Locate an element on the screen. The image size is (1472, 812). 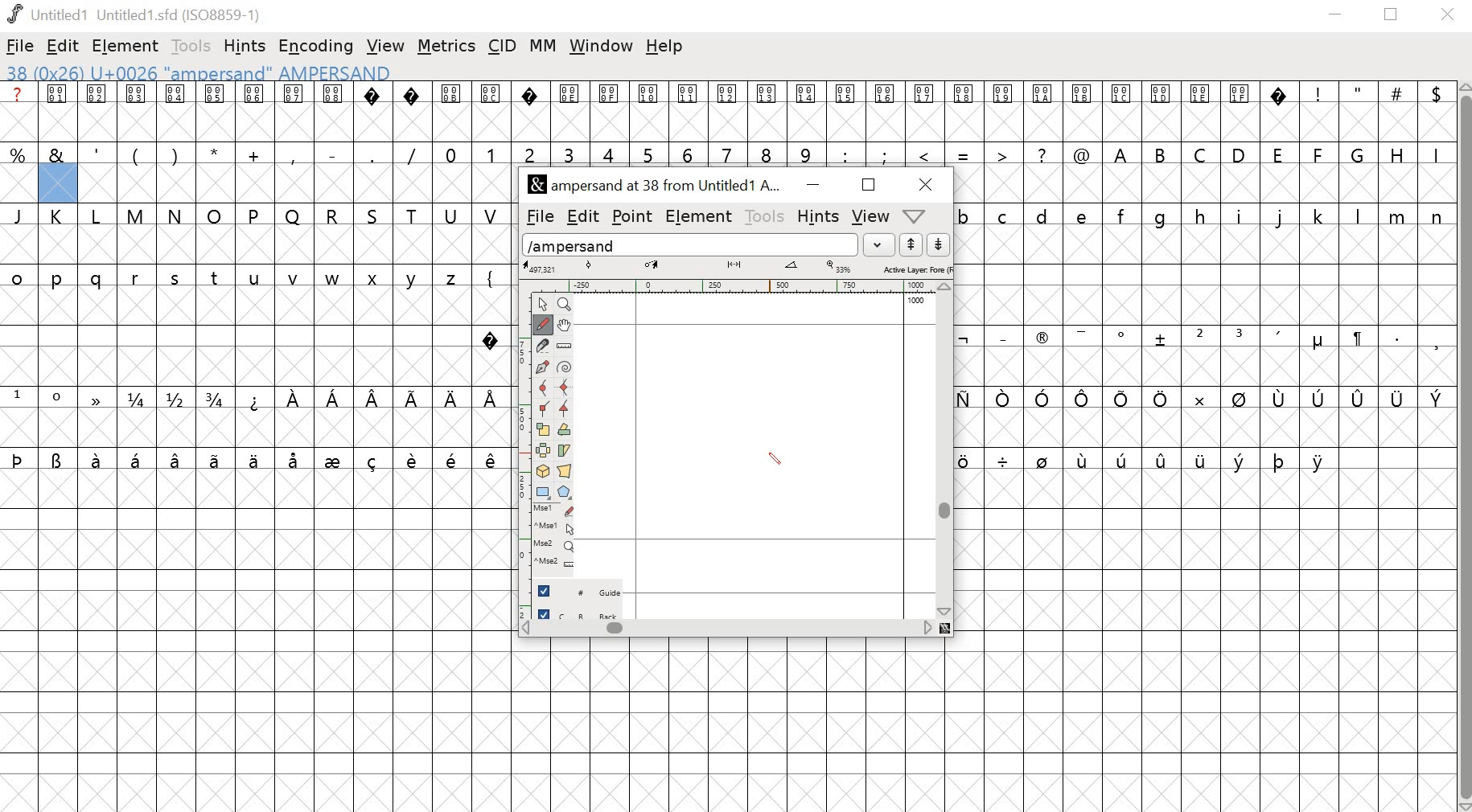
0004 is located at coordinates (175, 112).